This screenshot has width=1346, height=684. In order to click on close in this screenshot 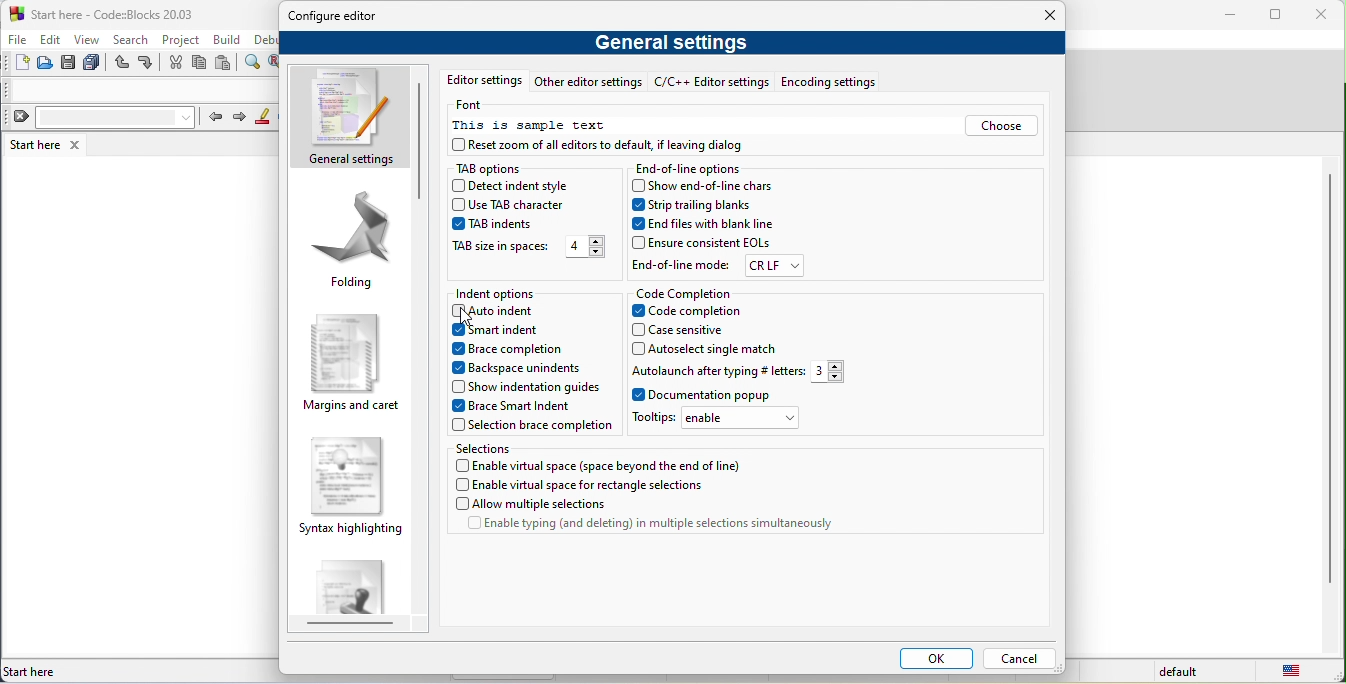, I will do `click(1041, 15)`.